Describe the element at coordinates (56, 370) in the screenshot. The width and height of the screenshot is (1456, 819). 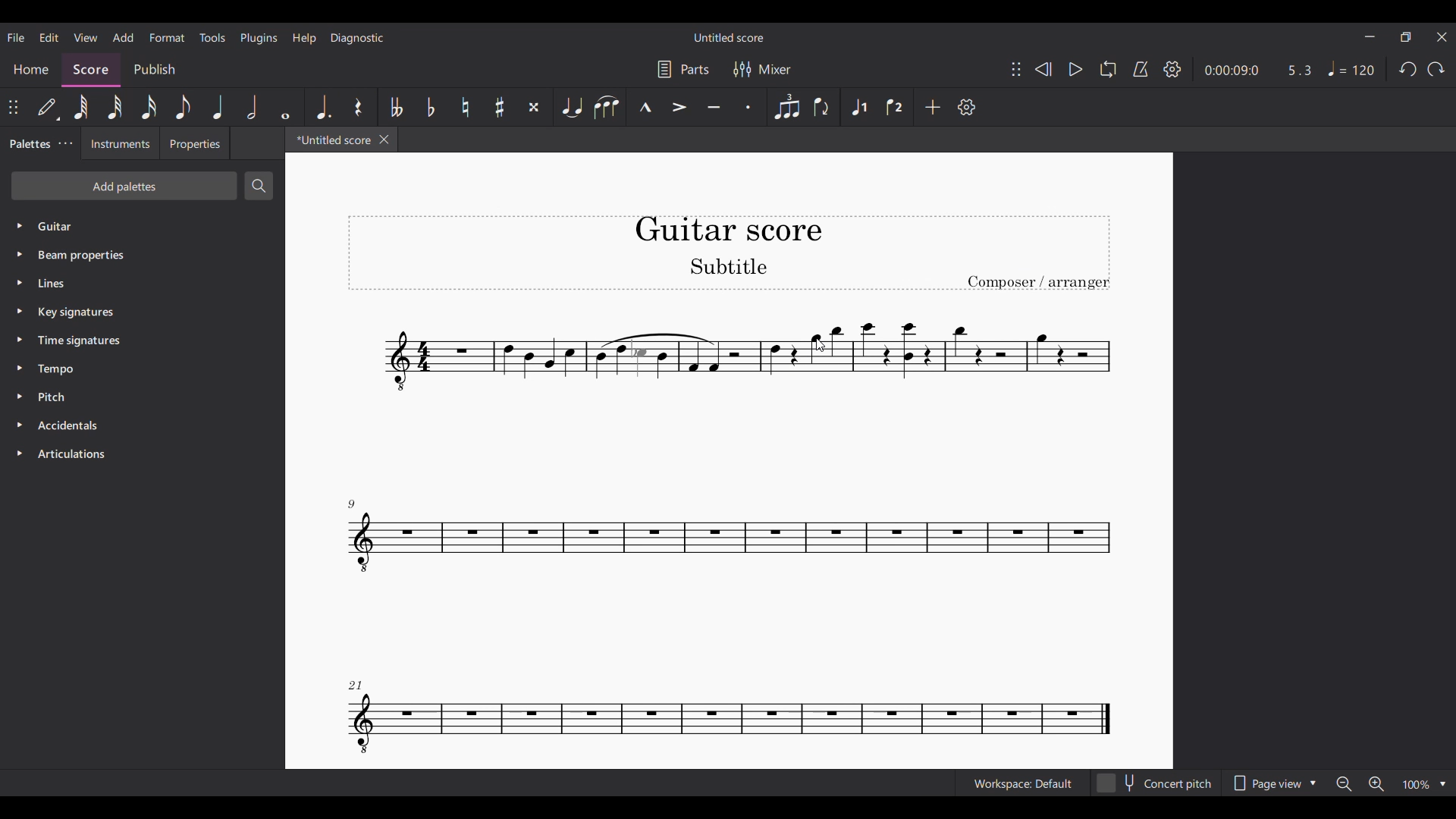
I see `Tempo` at that location.